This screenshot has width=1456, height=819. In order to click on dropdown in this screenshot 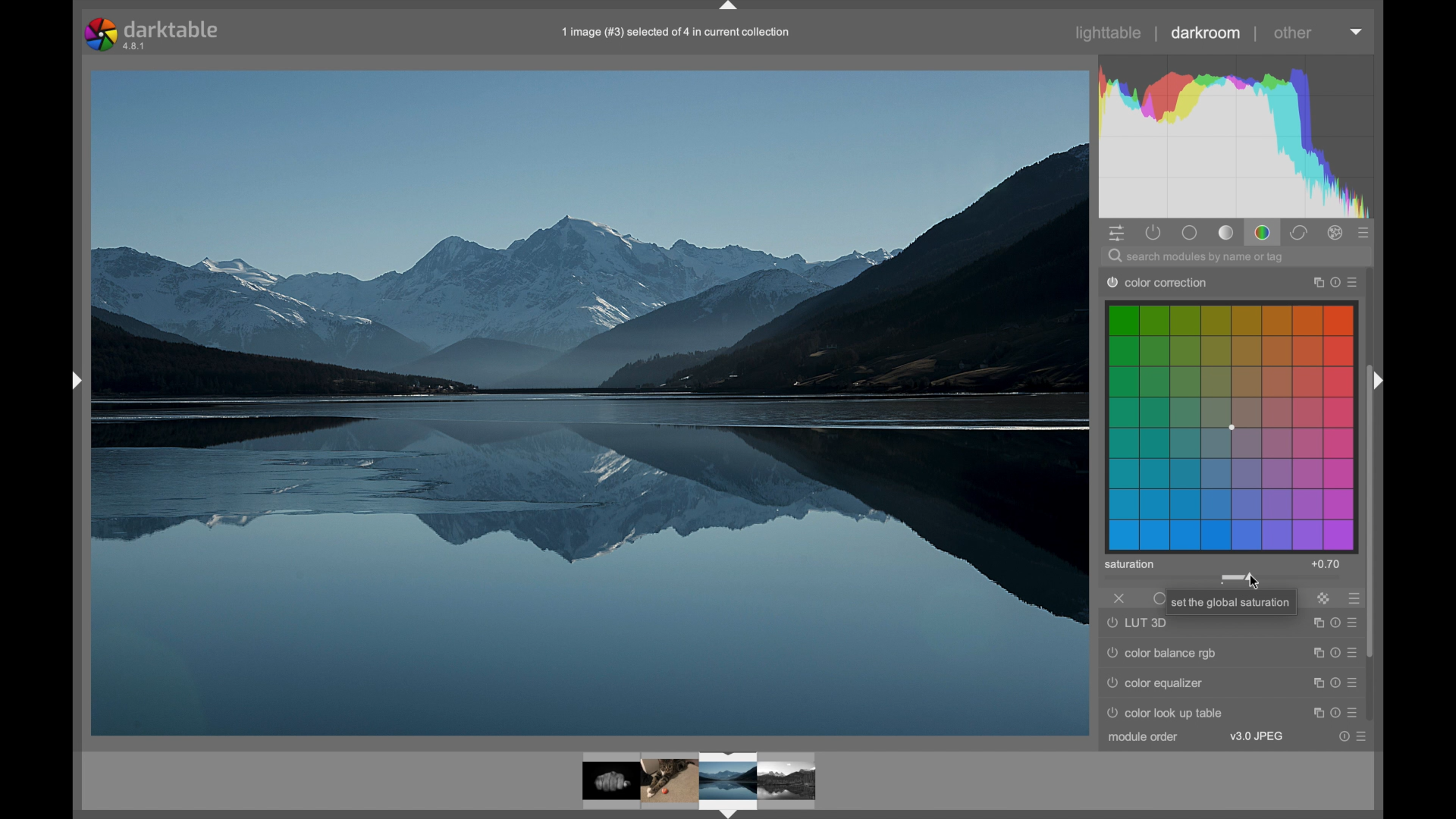, I will do `click(1356, 32)`.